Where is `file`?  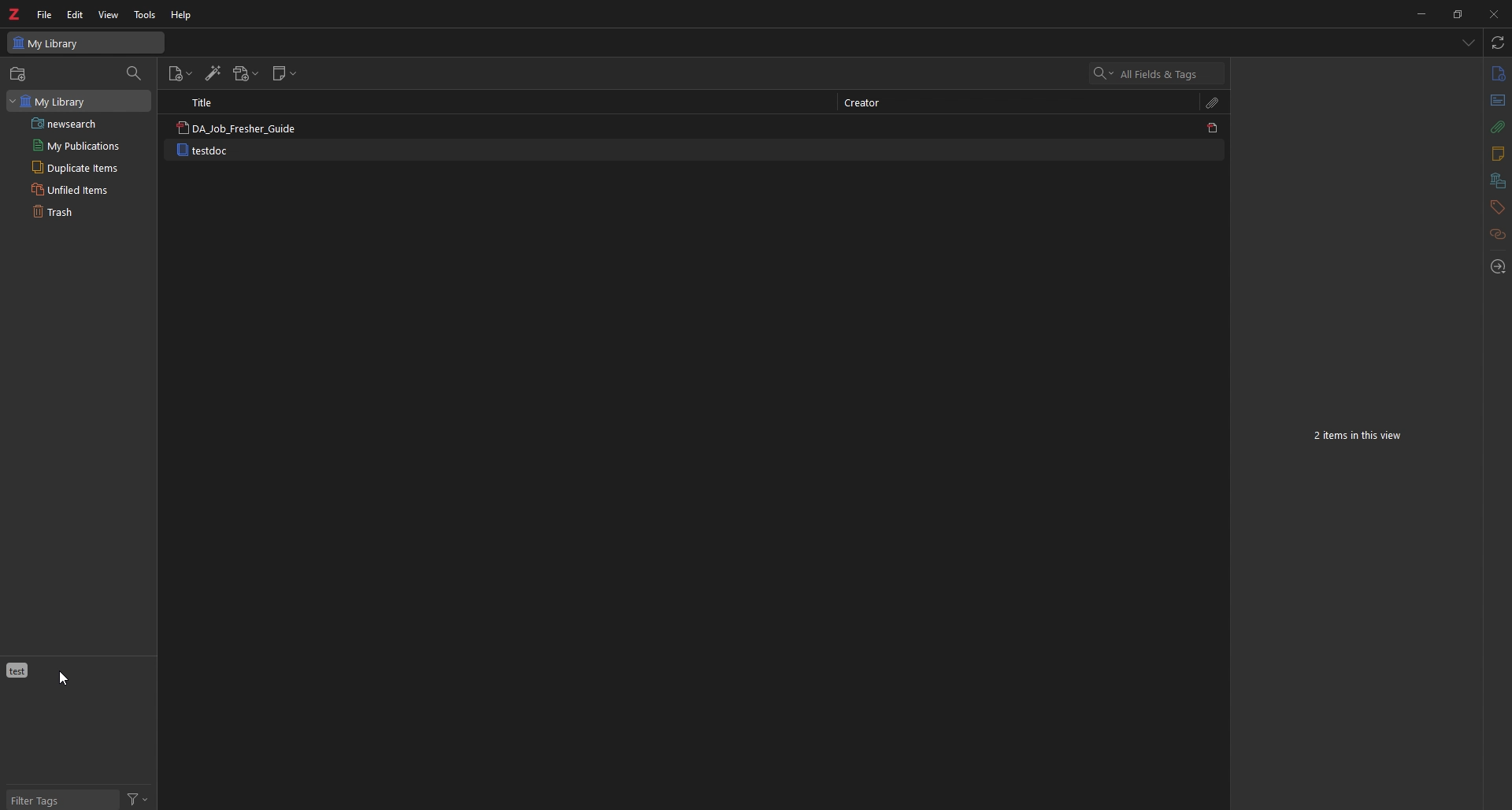
file is located at coordinates (45, 15).